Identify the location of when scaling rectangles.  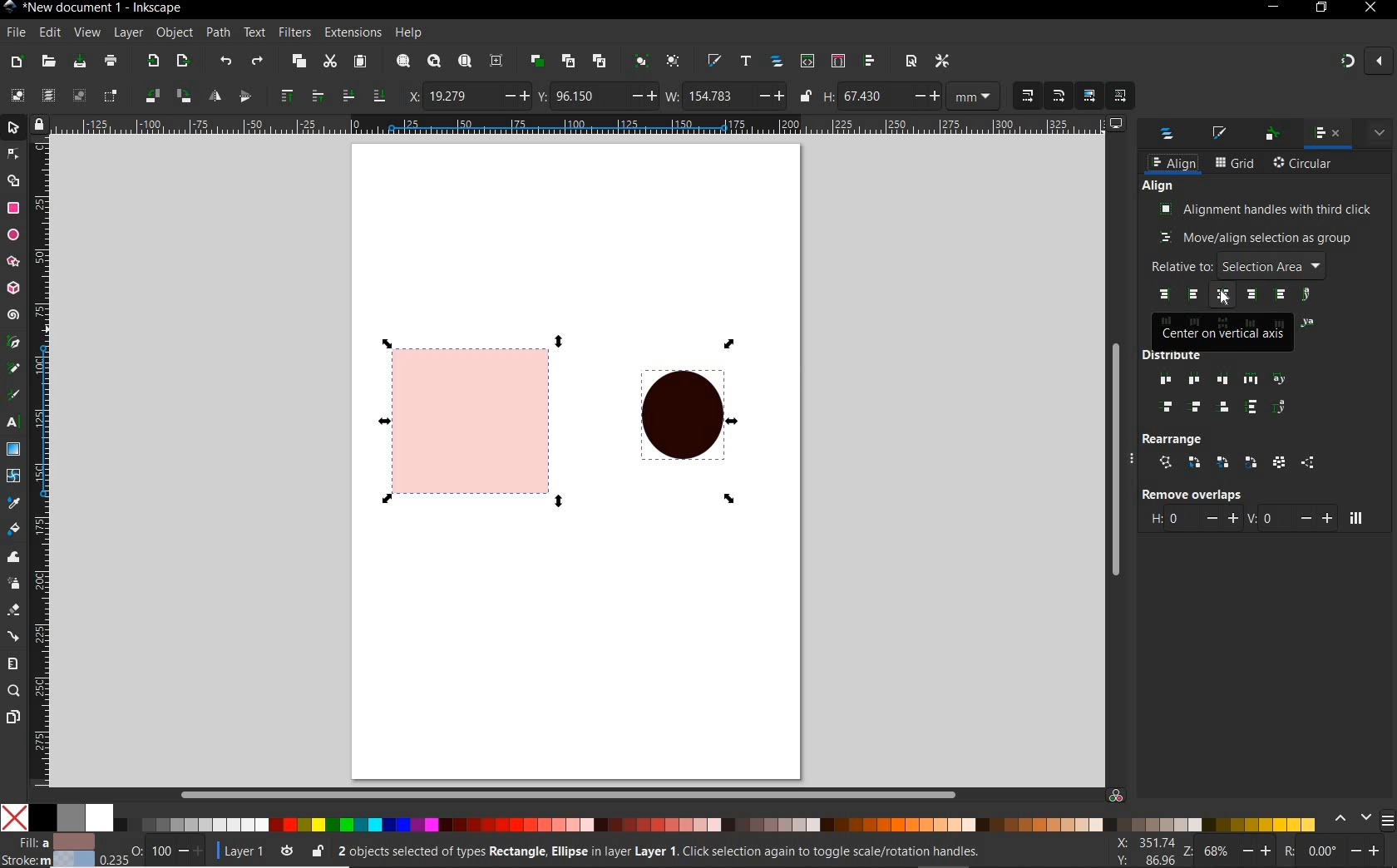
(1059, 96).